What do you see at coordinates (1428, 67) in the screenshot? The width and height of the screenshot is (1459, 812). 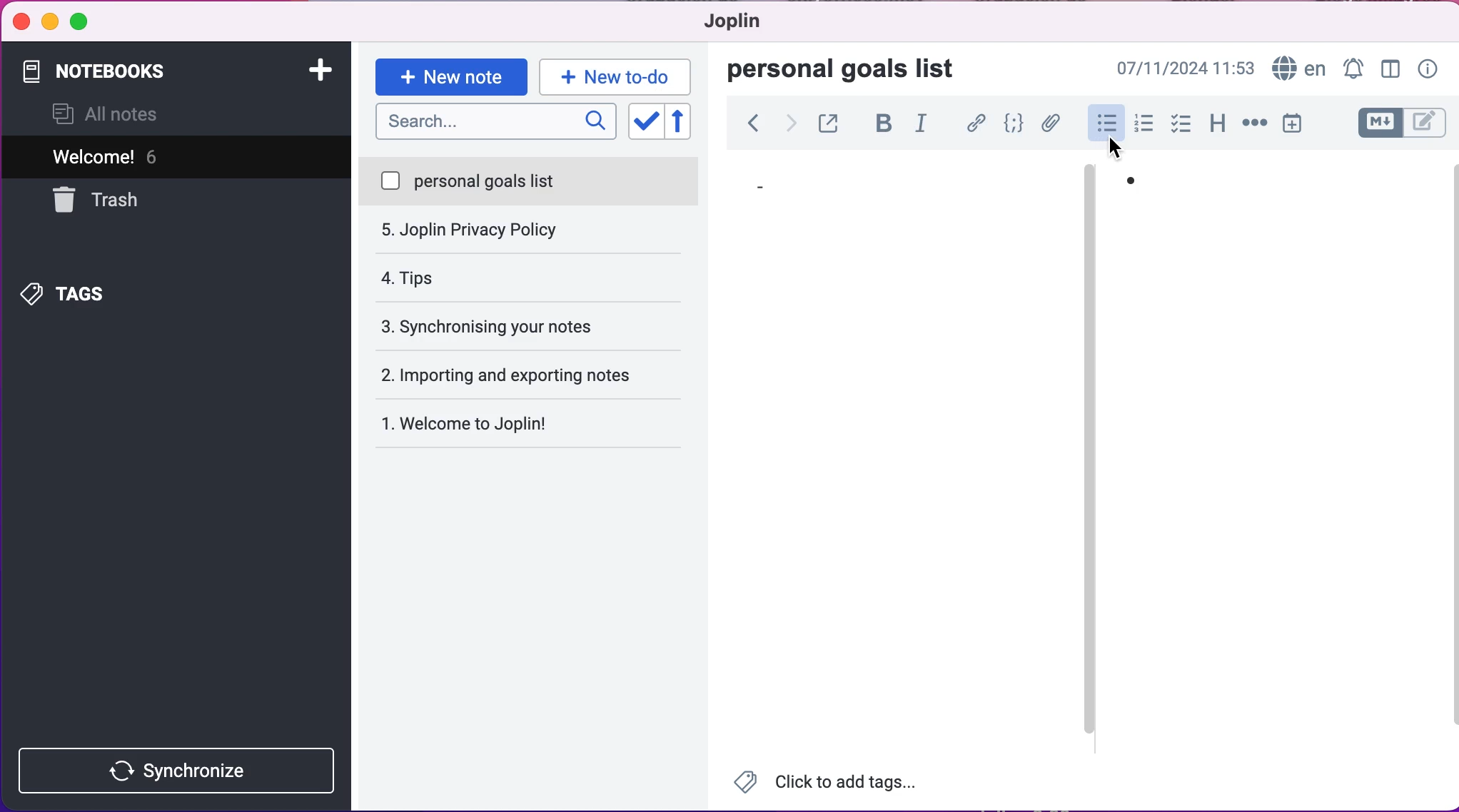 I see `note properties` at bounding box center [1428, 67].